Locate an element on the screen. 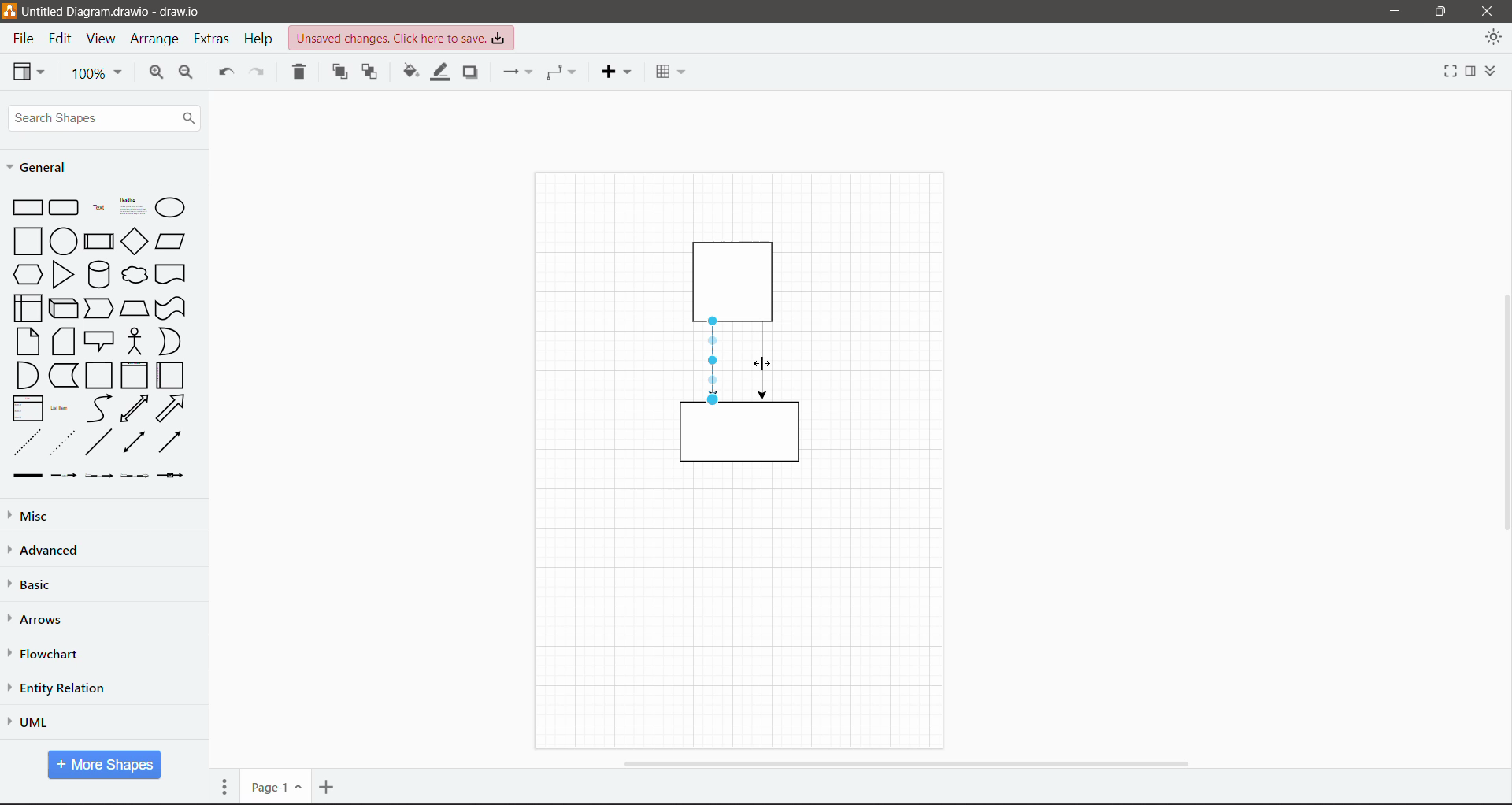 This screenshot has width=1512, height=805. Circle is located at coordinates (63, 240).